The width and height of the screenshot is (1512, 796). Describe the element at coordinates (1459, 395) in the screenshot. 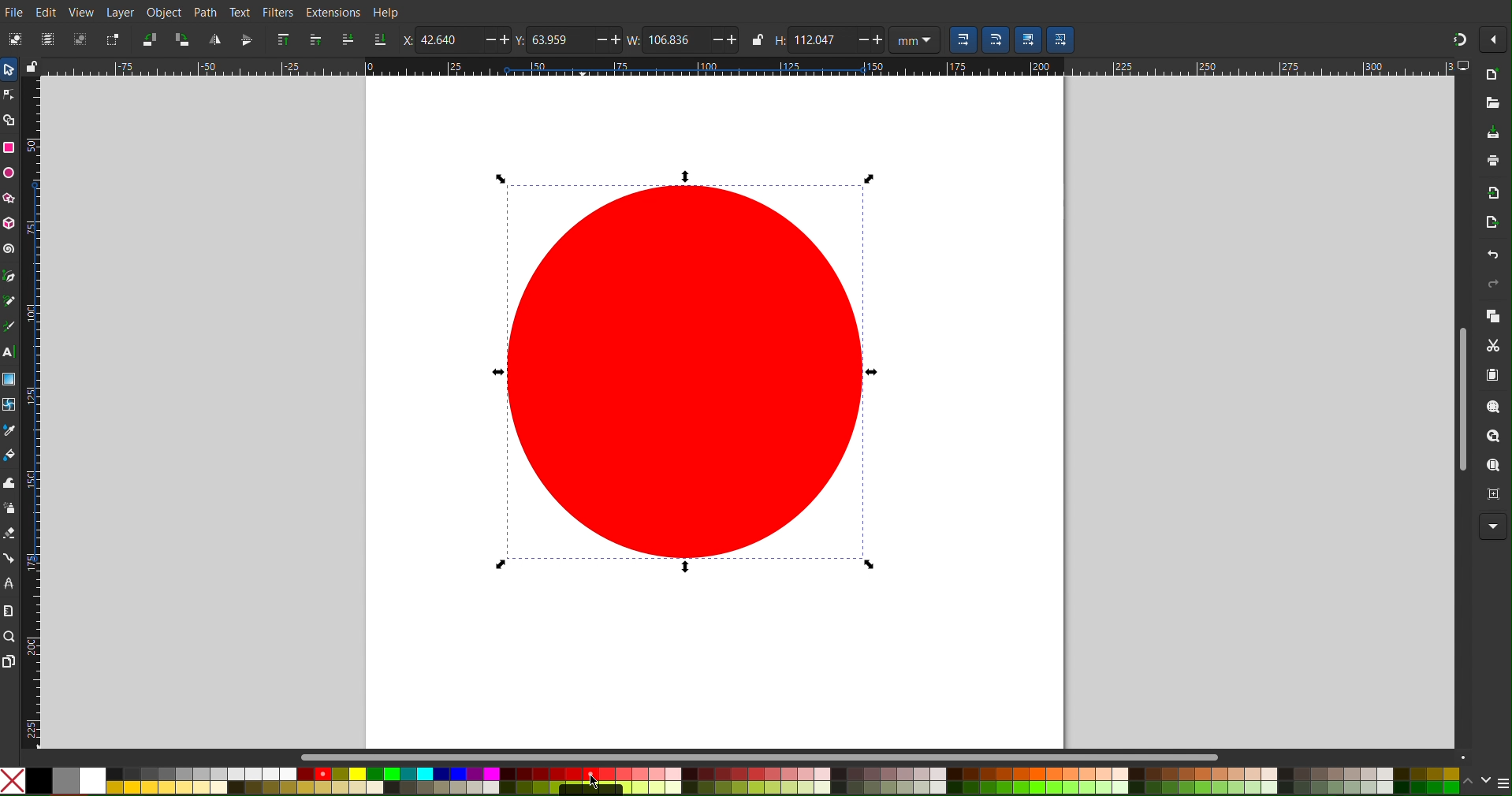

I see `Scrollbar` at that location.